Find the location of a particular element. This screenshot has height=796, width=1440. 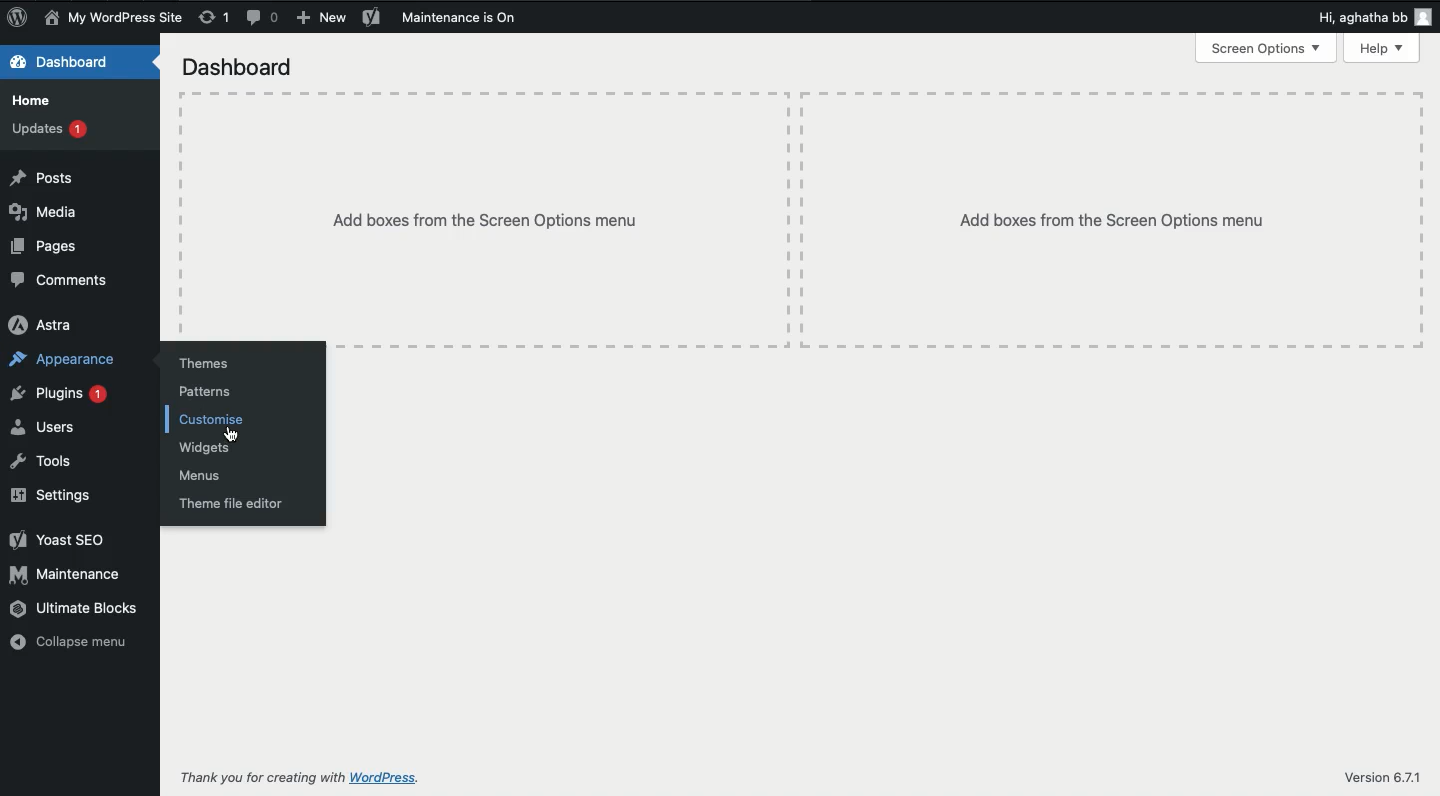

Ultimate blocks  is located at coordinates (75, 610).